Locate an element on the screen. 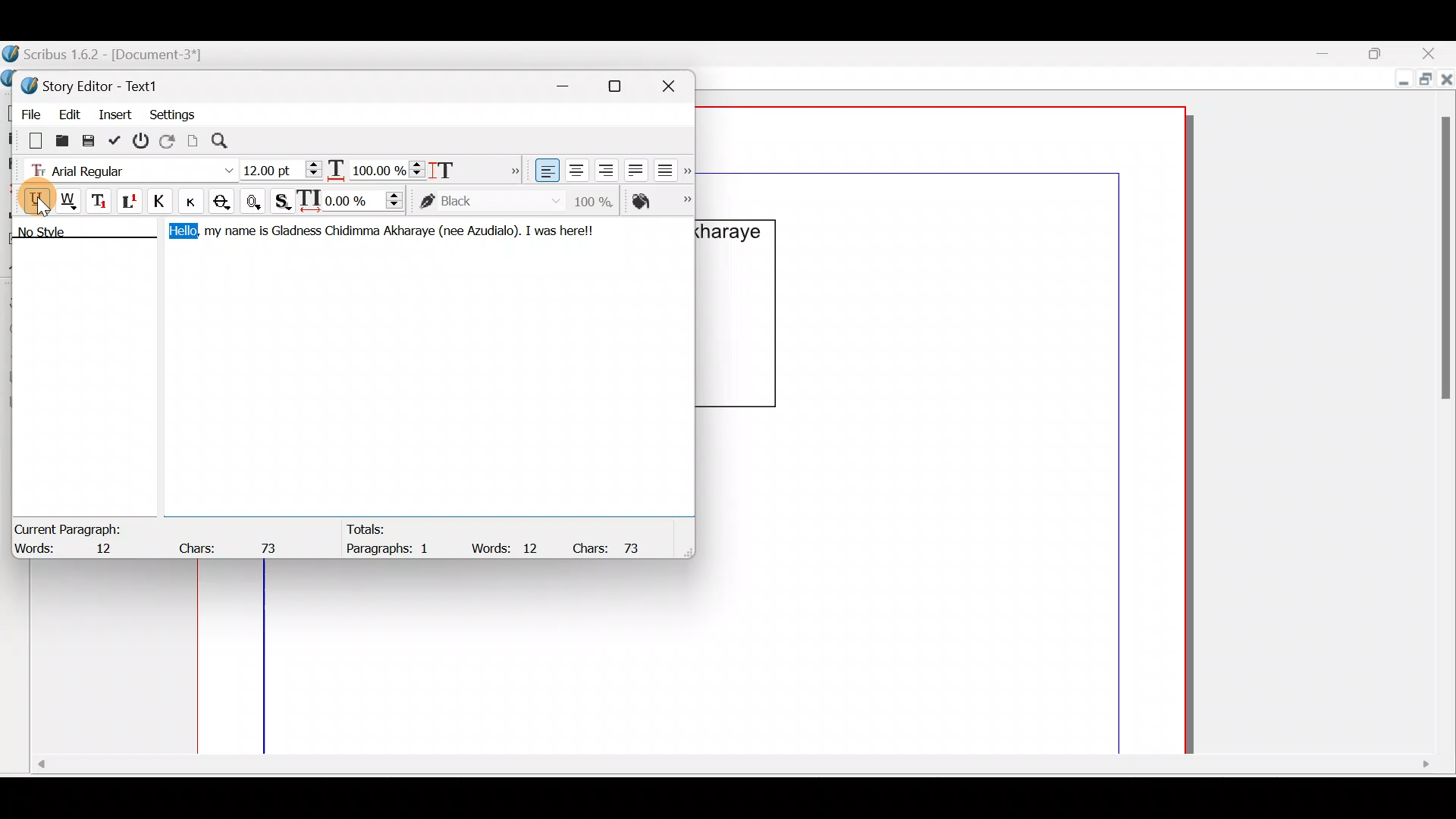  Clear all text is located at coordinates (28, 140).